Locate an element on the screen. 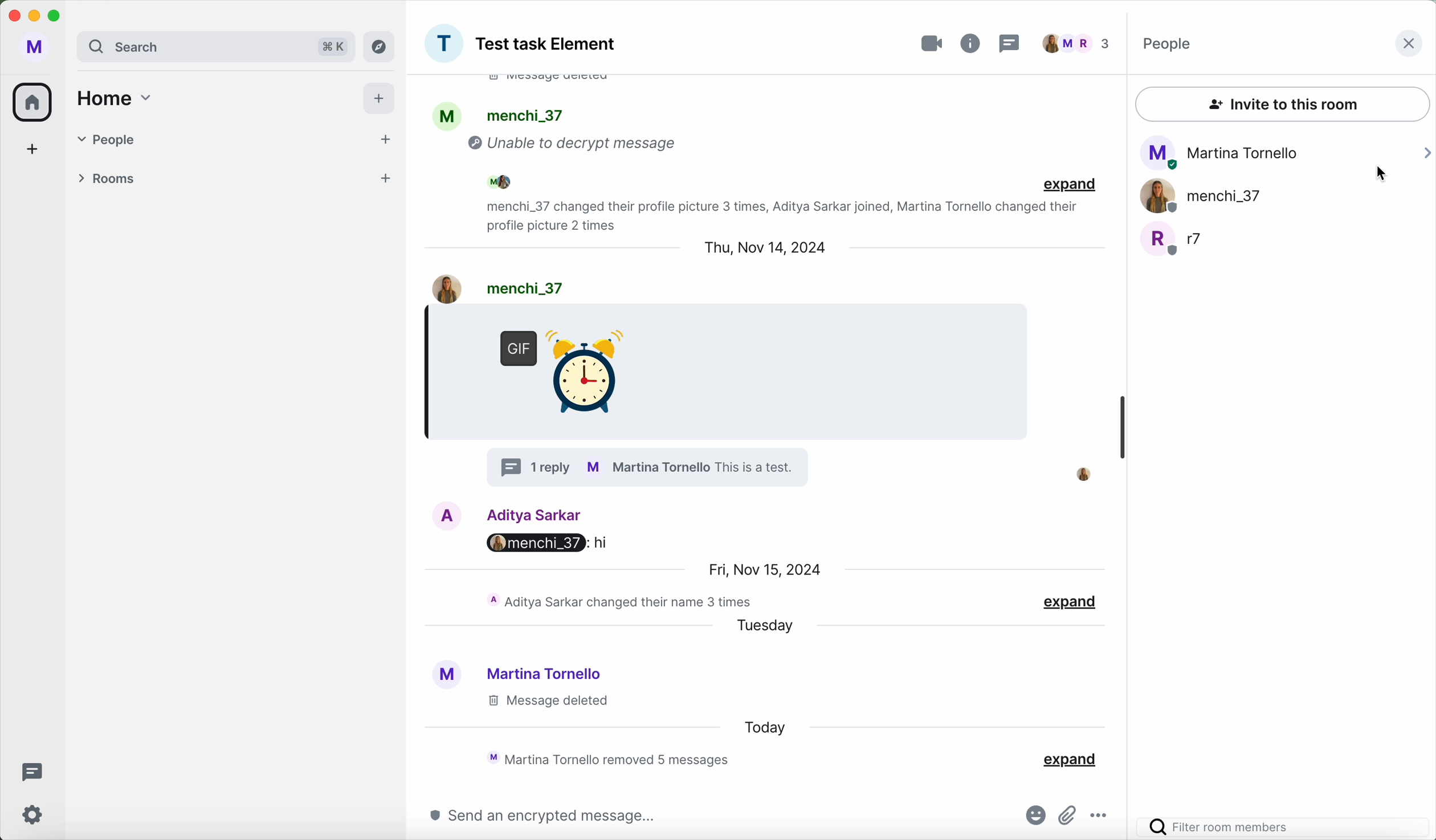 This screenshot has height=840, width=1436. r7 user is located at coordinates (1175, 239).